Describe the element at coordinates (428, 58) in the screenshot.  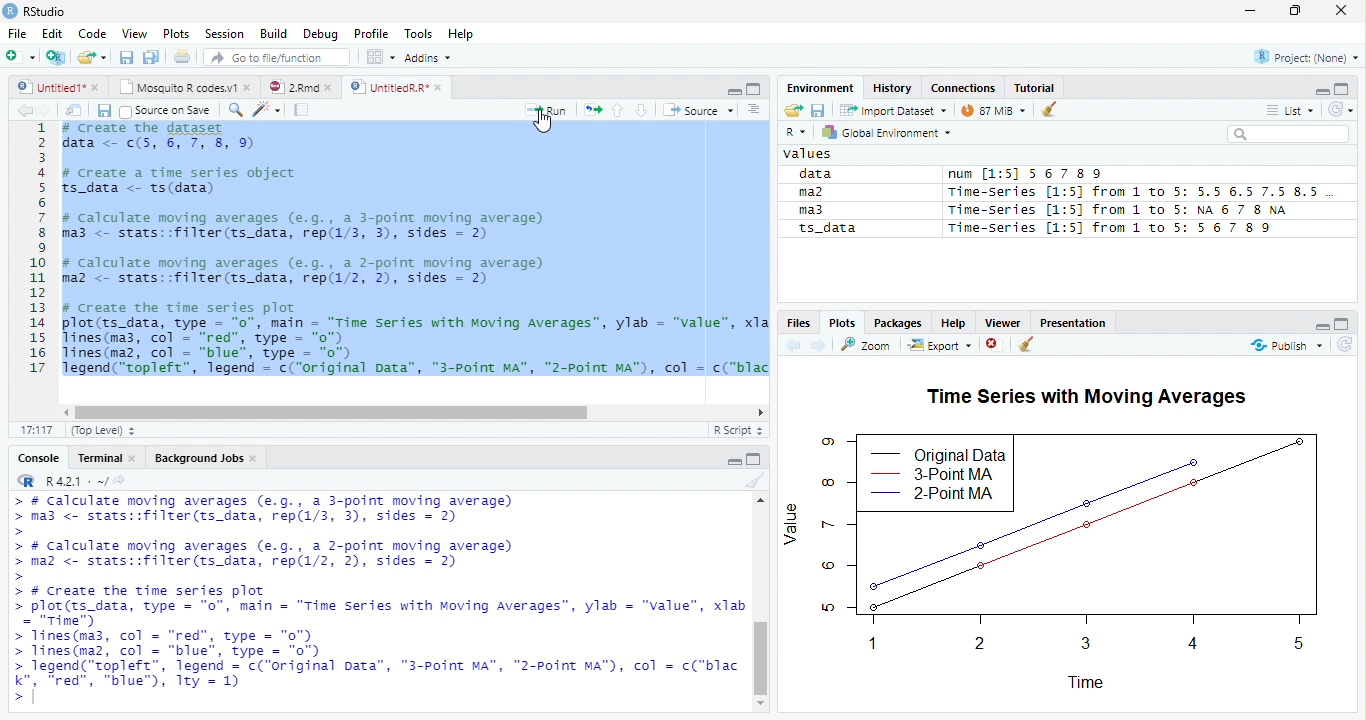
I see `Addins` at that location.